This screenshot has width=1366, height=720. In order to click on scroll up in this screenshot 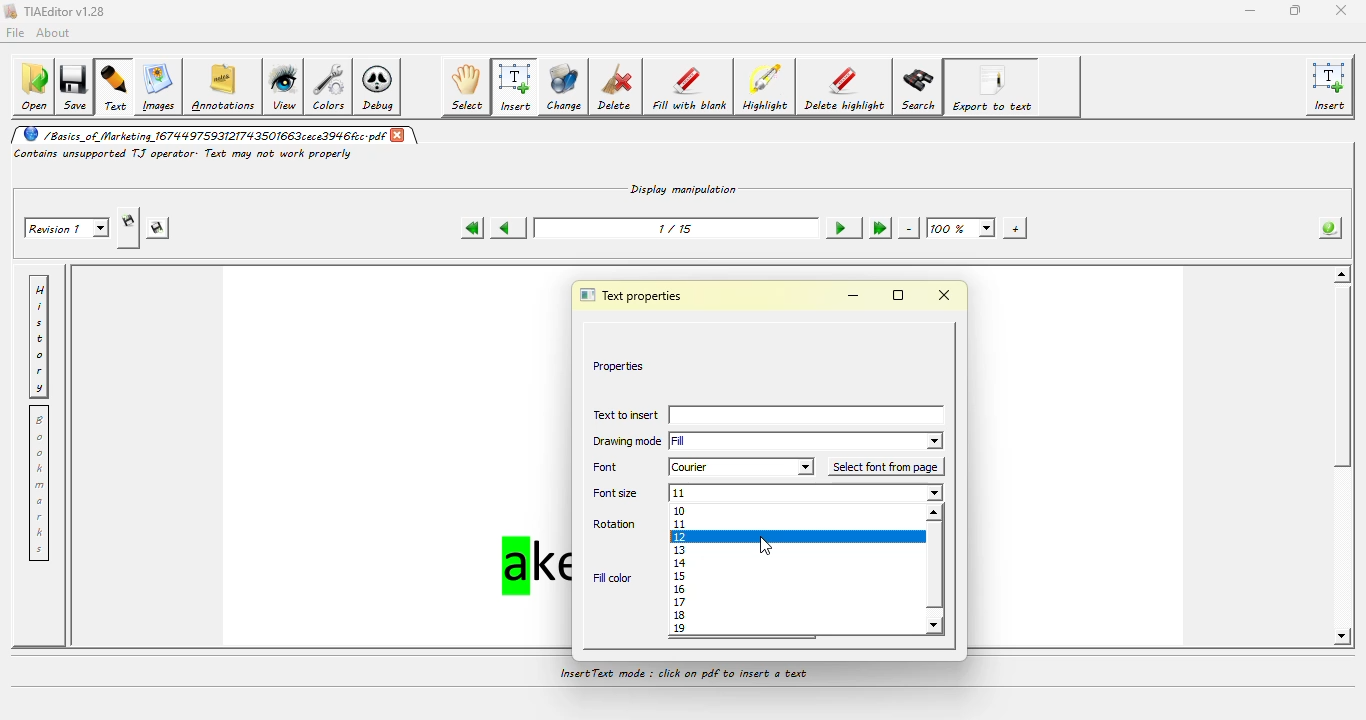, I will do `click(1340, 274)`.